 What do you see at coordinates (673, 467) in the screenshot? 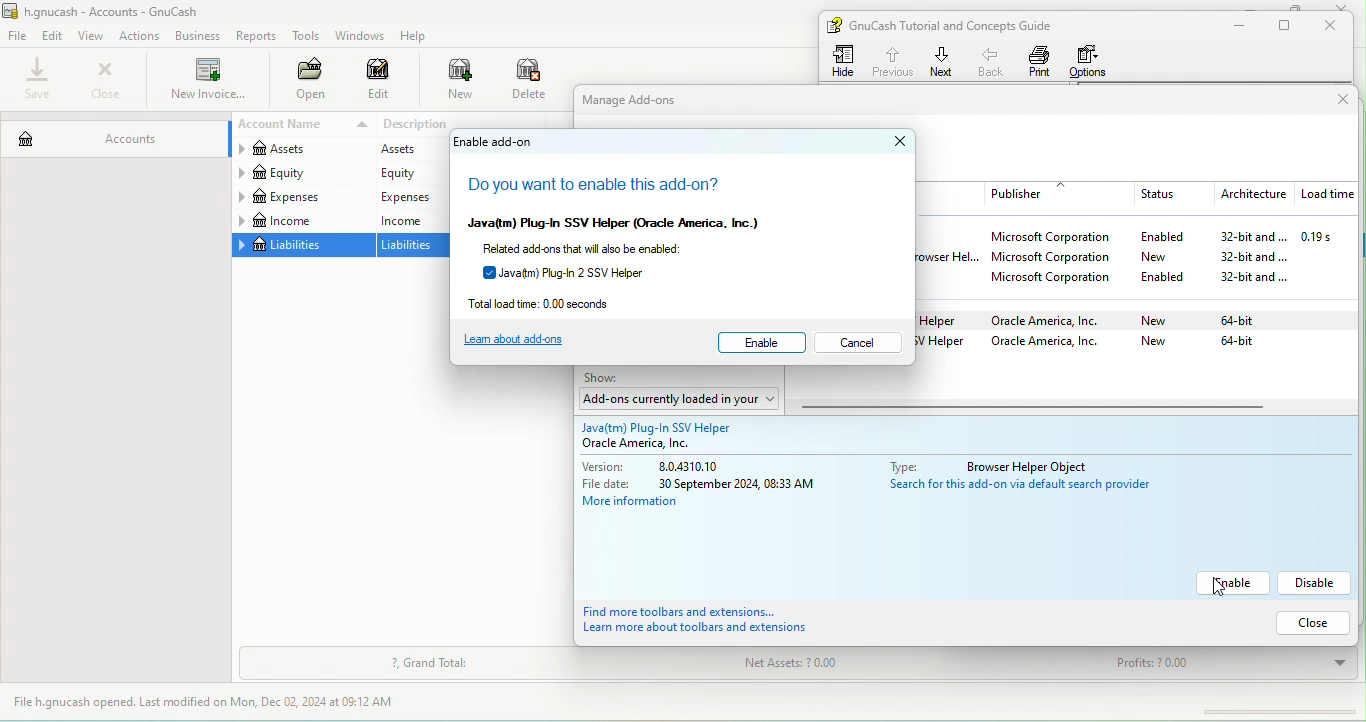
I see `version  8.0.4310.10` at bounding box center [673, 467].